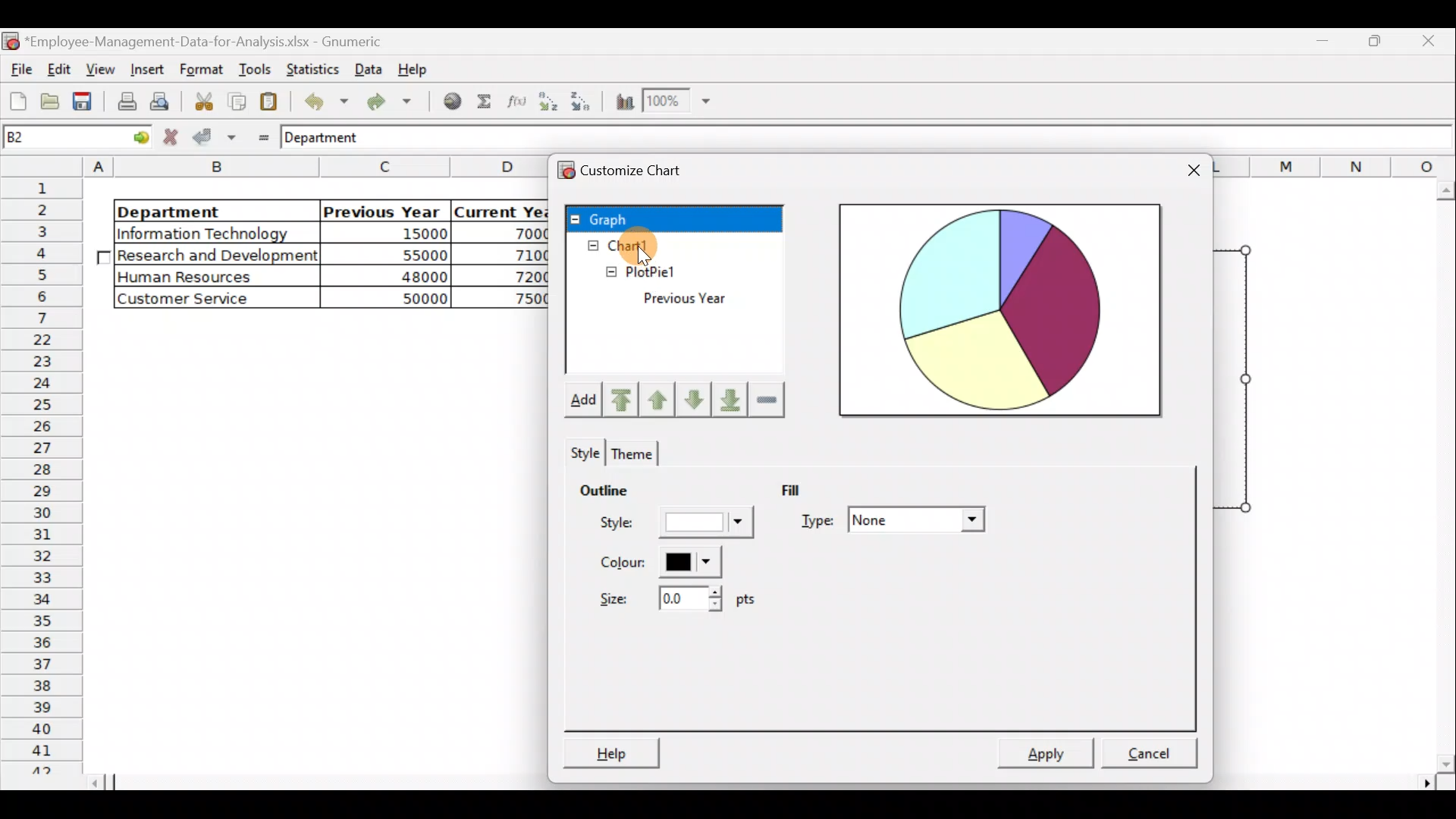 Image resolution: width=1456 pixels, height=819 pixels. I want to click on Zoom, so click(676, 103).